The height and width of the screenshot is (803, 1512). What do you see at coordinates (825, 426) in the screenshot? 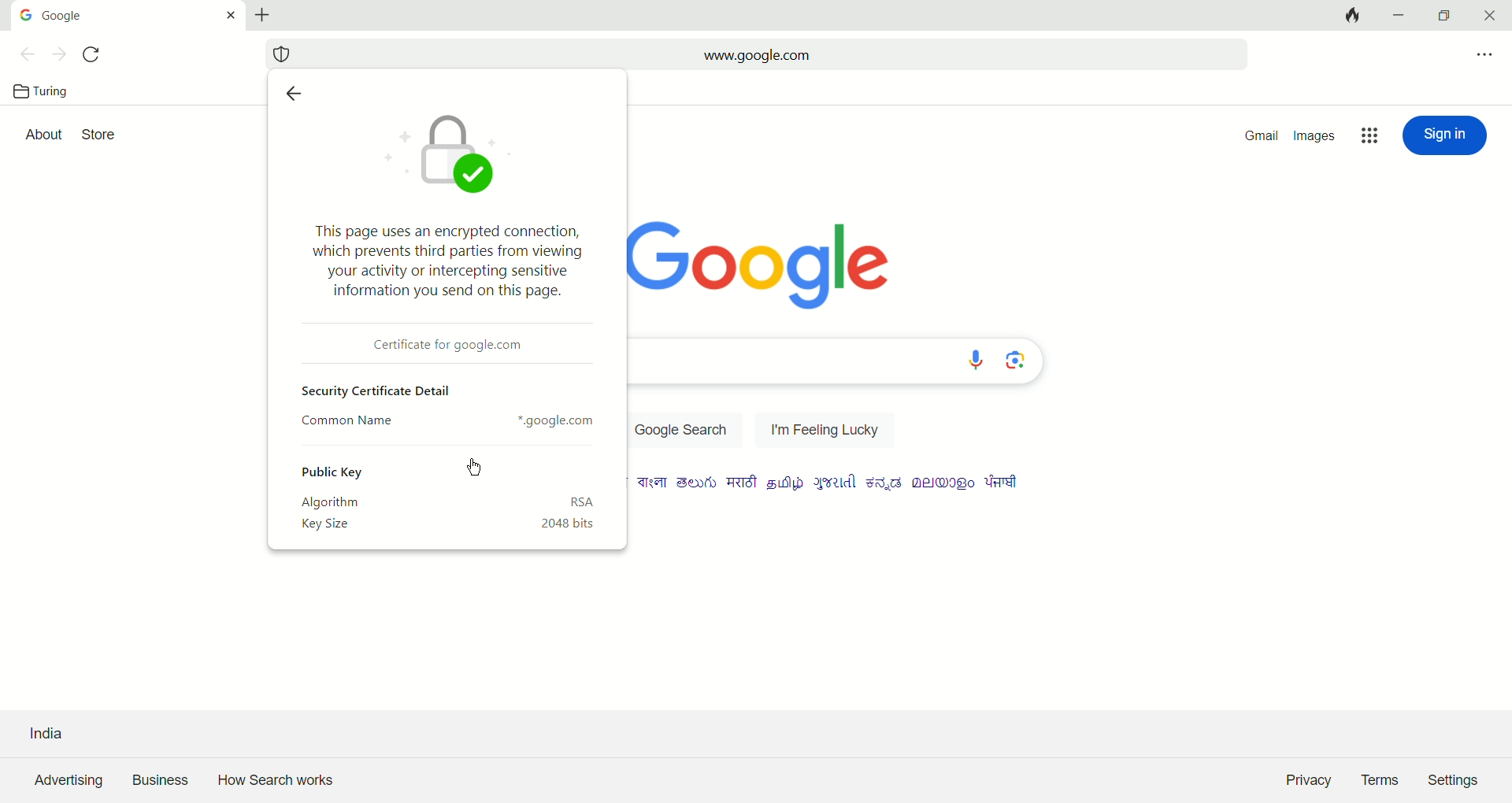
I see `I am feeling lucky` at bounding box center [825, 426].